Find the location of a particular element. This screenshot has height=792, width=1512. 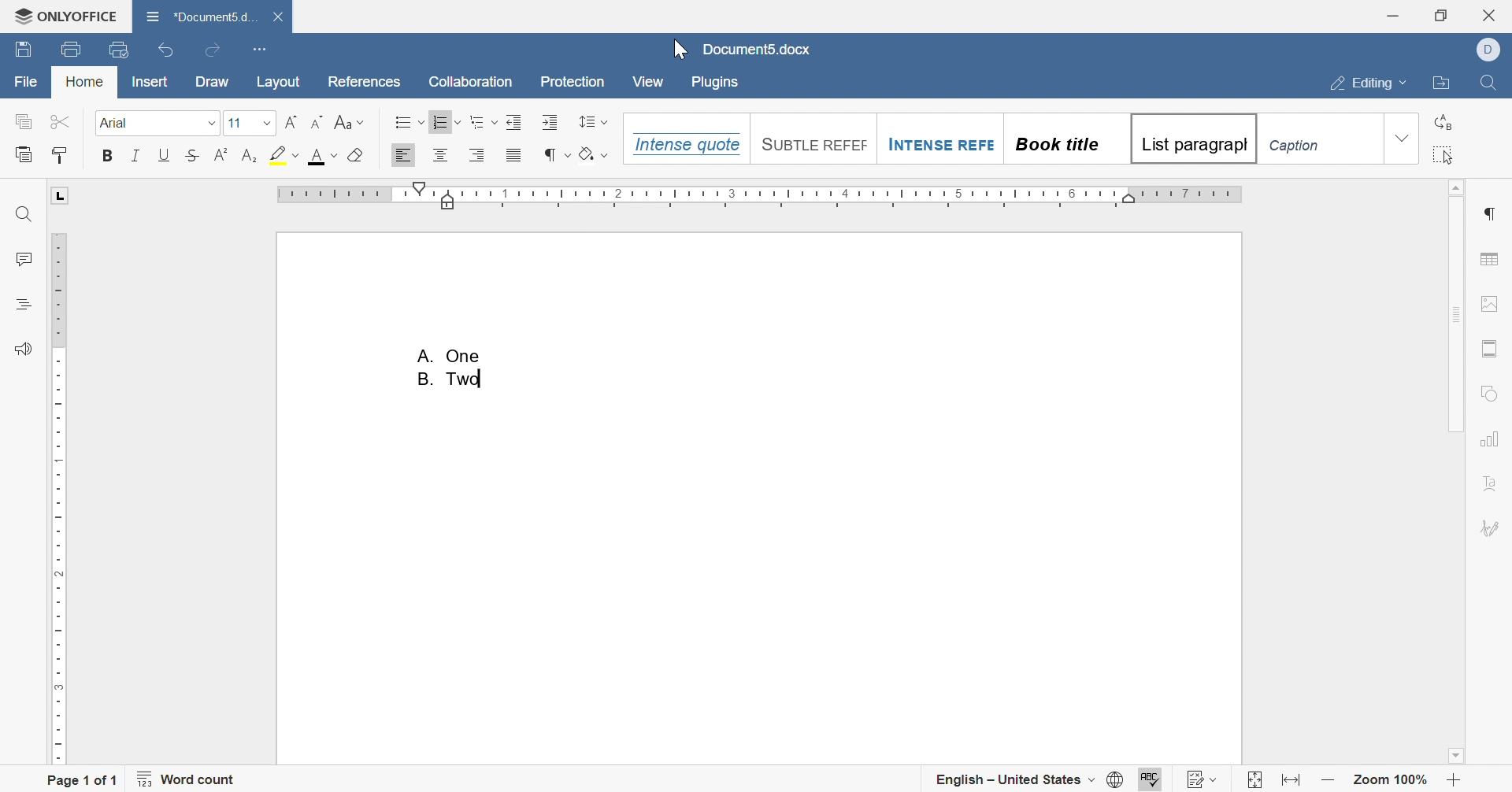

protection is located at coordinates (575, 83).